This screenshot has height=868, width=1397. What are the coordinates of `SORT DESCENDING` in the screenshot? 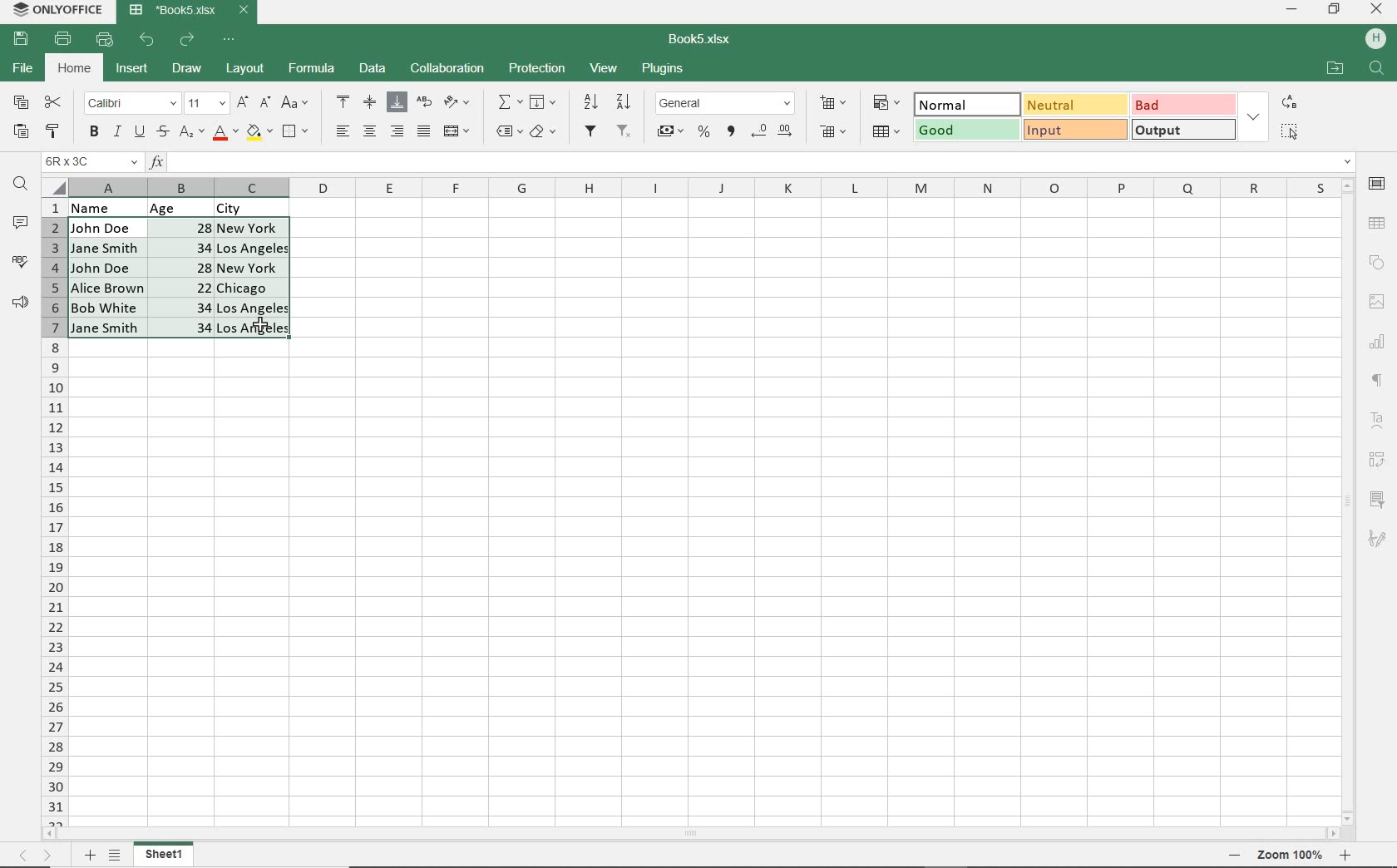 It's located at (625, 101).